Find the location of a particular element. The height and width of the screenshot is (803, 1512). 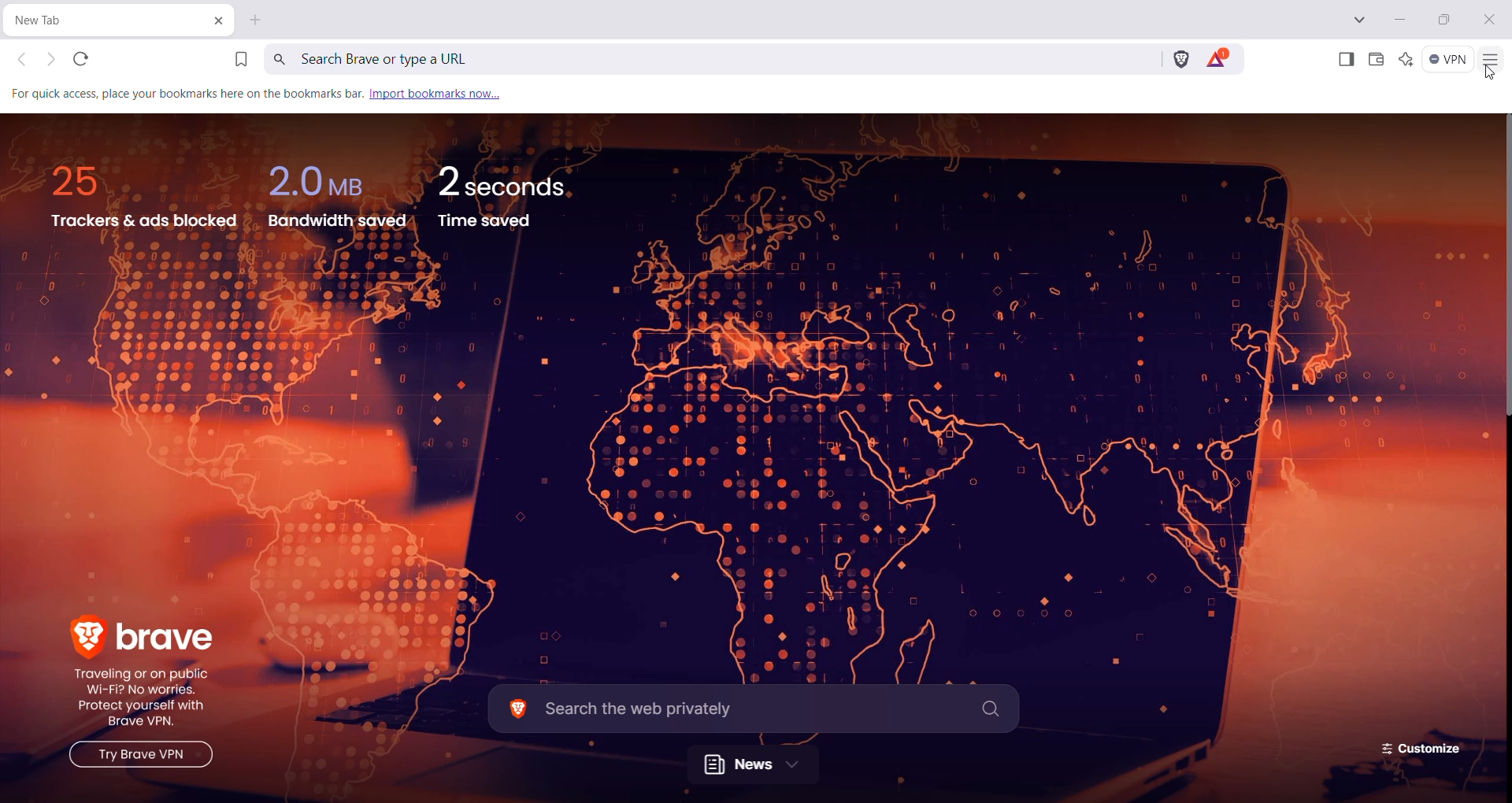

Search Tabs is located at coordinates (1358, 20).